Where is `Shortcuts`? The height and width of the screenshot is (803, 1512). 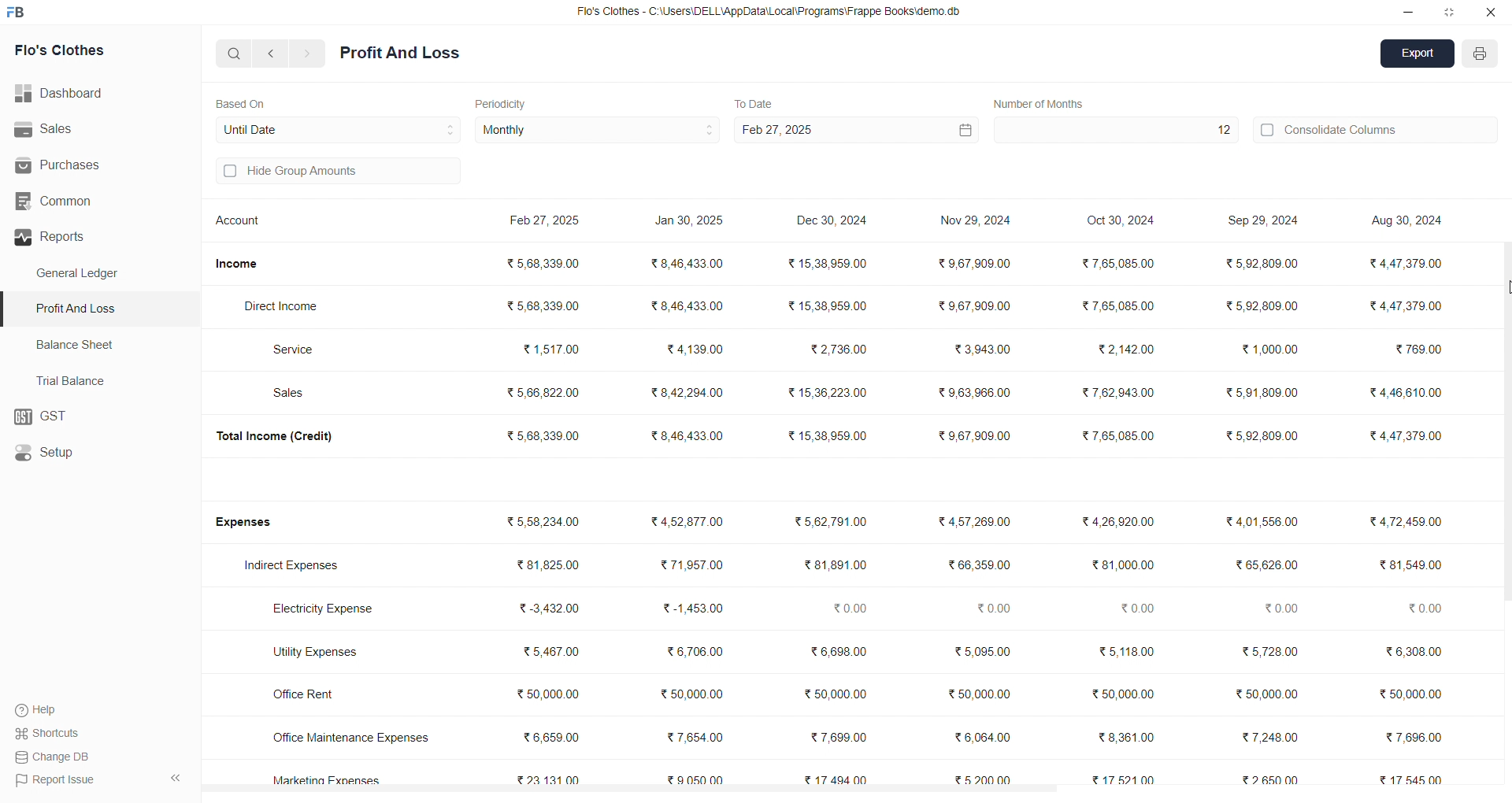 Shortcuts is located at coordinates (52, 732).